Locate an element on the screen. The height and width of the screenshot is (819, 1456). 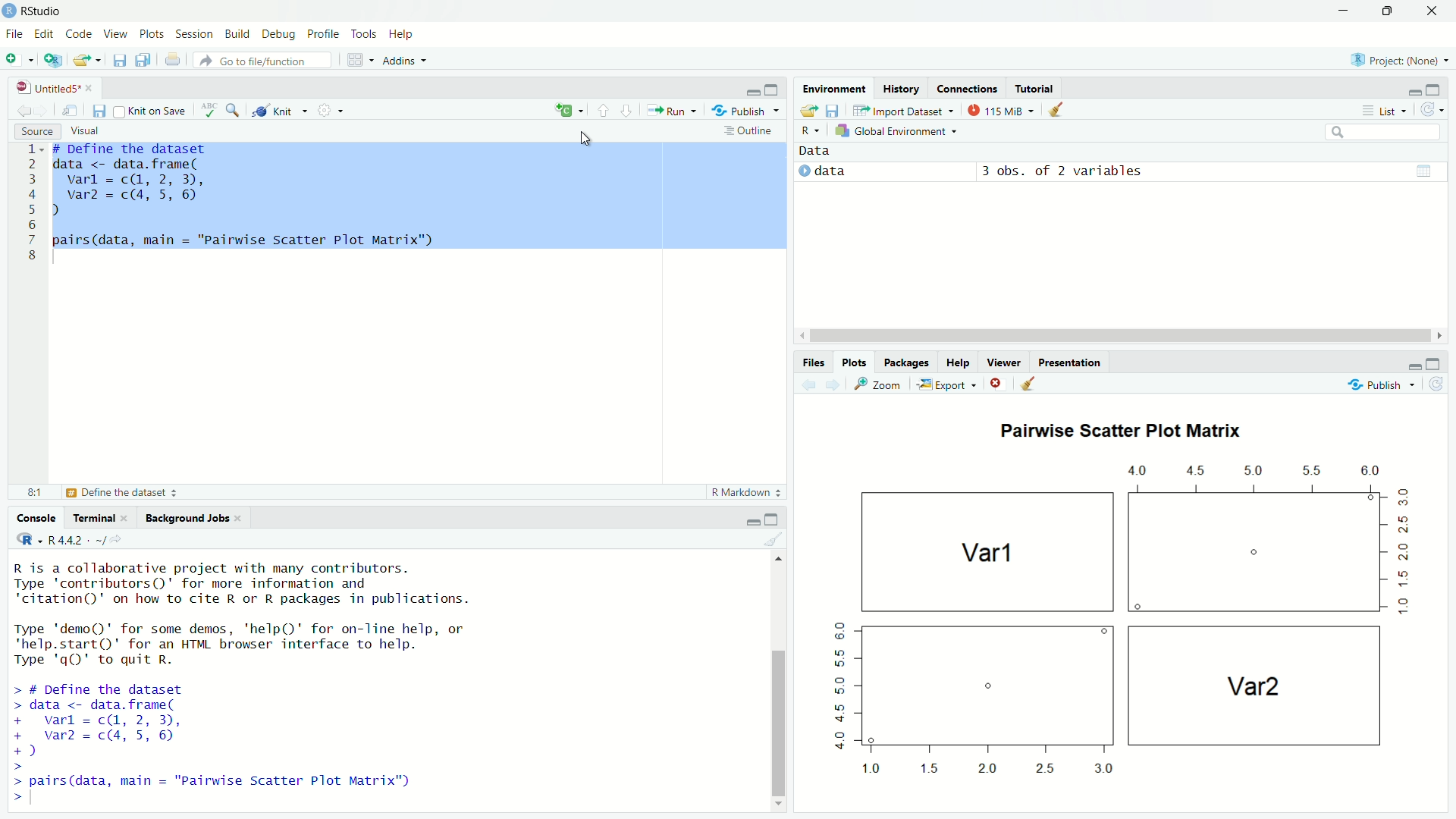
Debug is located at coordinates (280, 35).